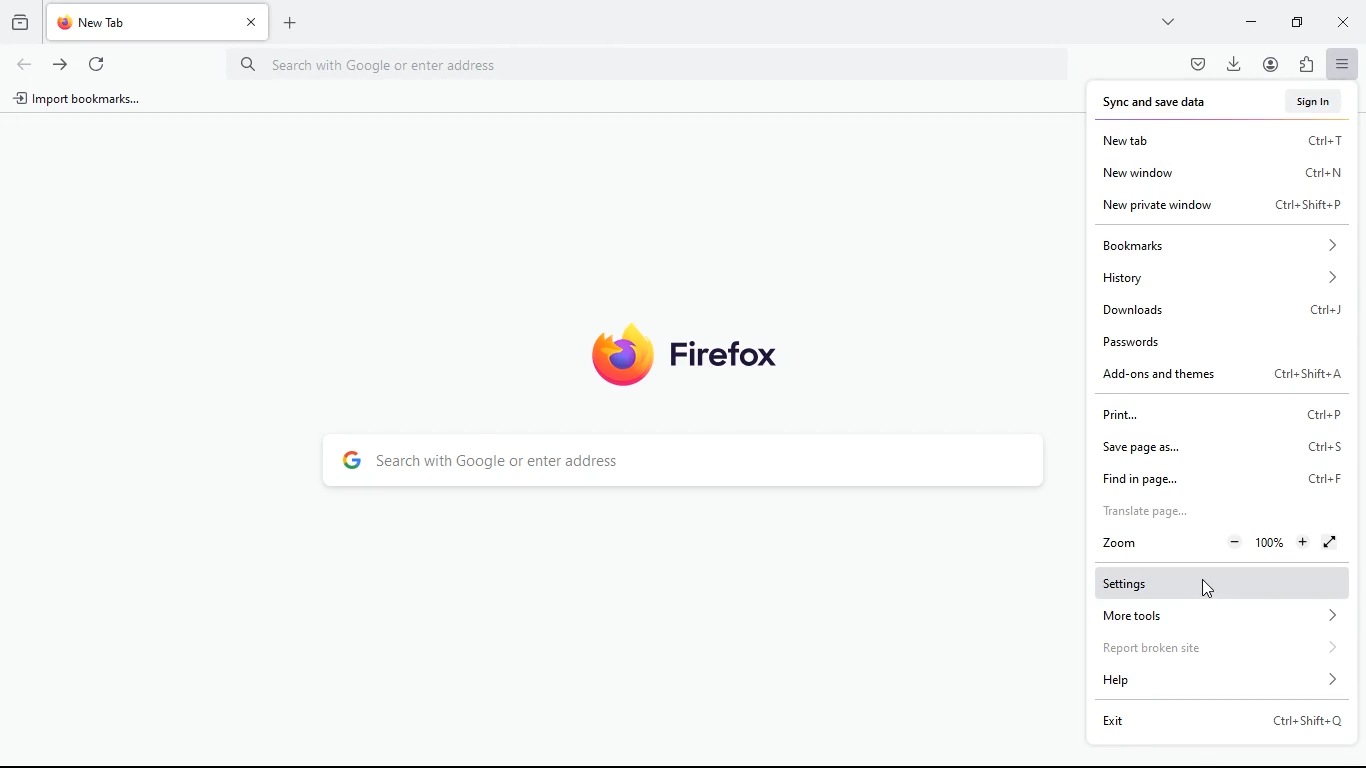 This screenshot has width=1366, height=768. I want to click on add tab, so click(293, 22).